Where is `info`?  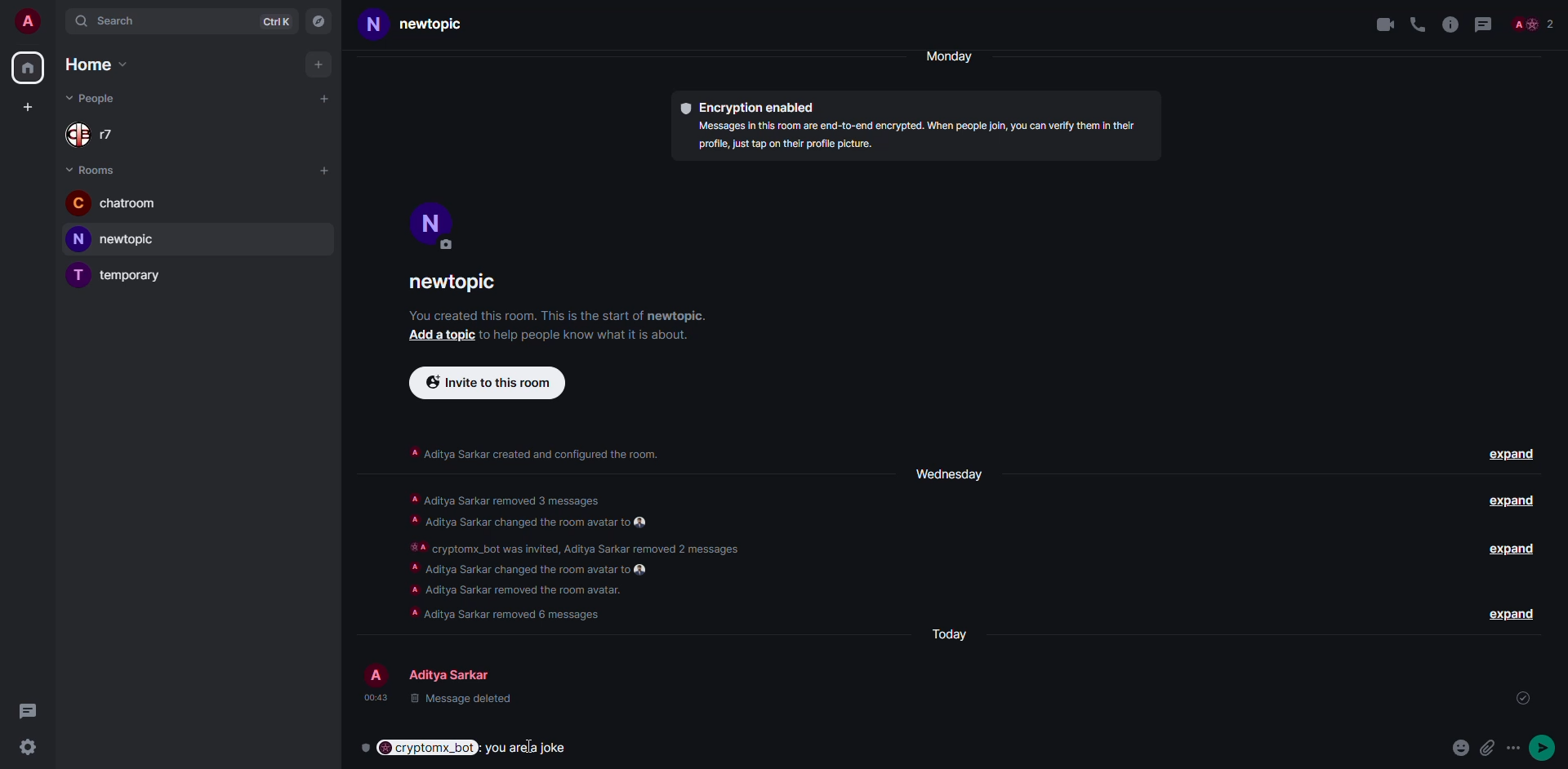
info is located at coordinates (1450, 24).